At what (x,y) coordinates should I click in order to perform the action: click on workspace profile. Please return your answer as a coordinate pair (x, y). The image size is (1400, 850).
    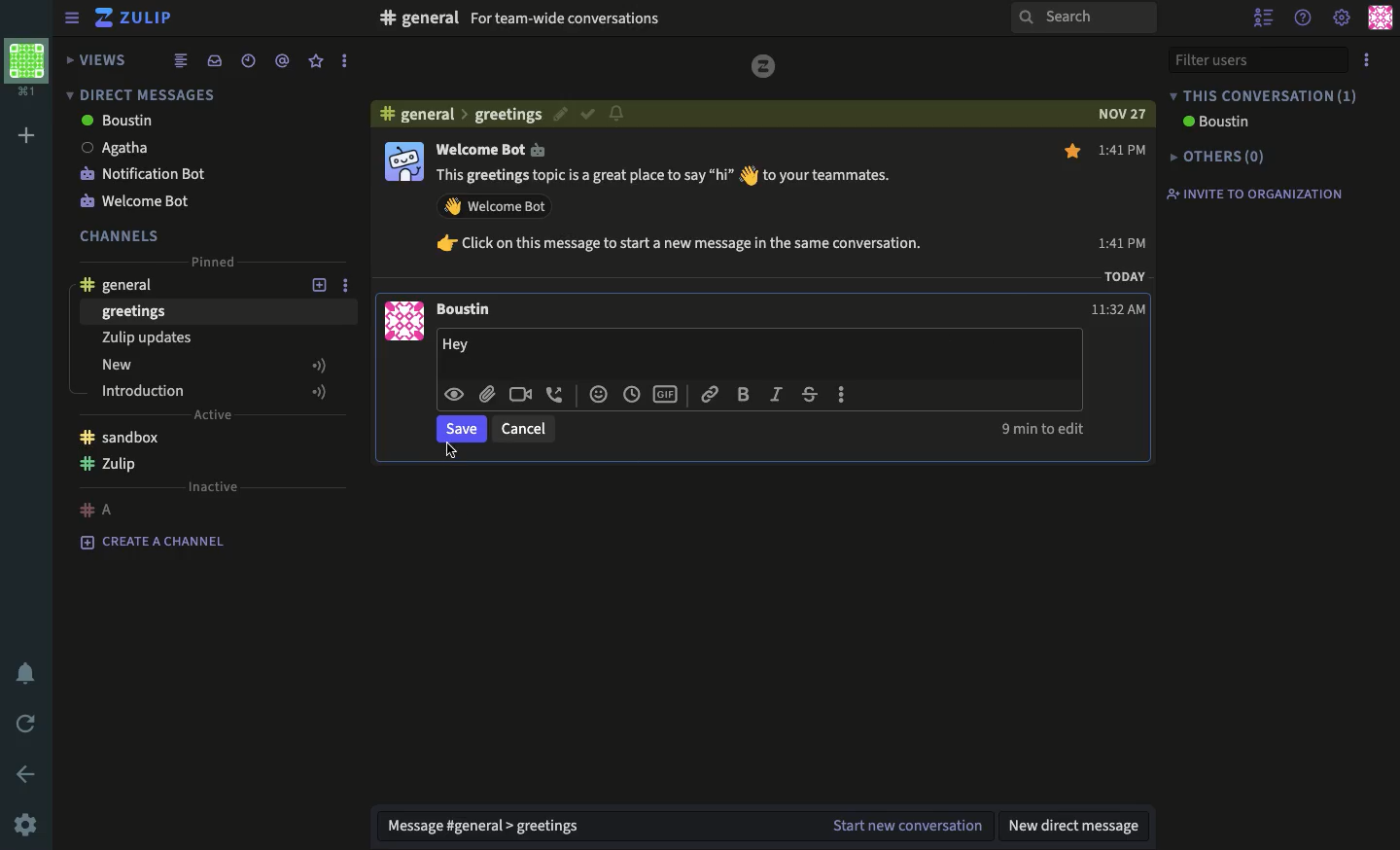
    Looking at the image, I should click on (28, 69).